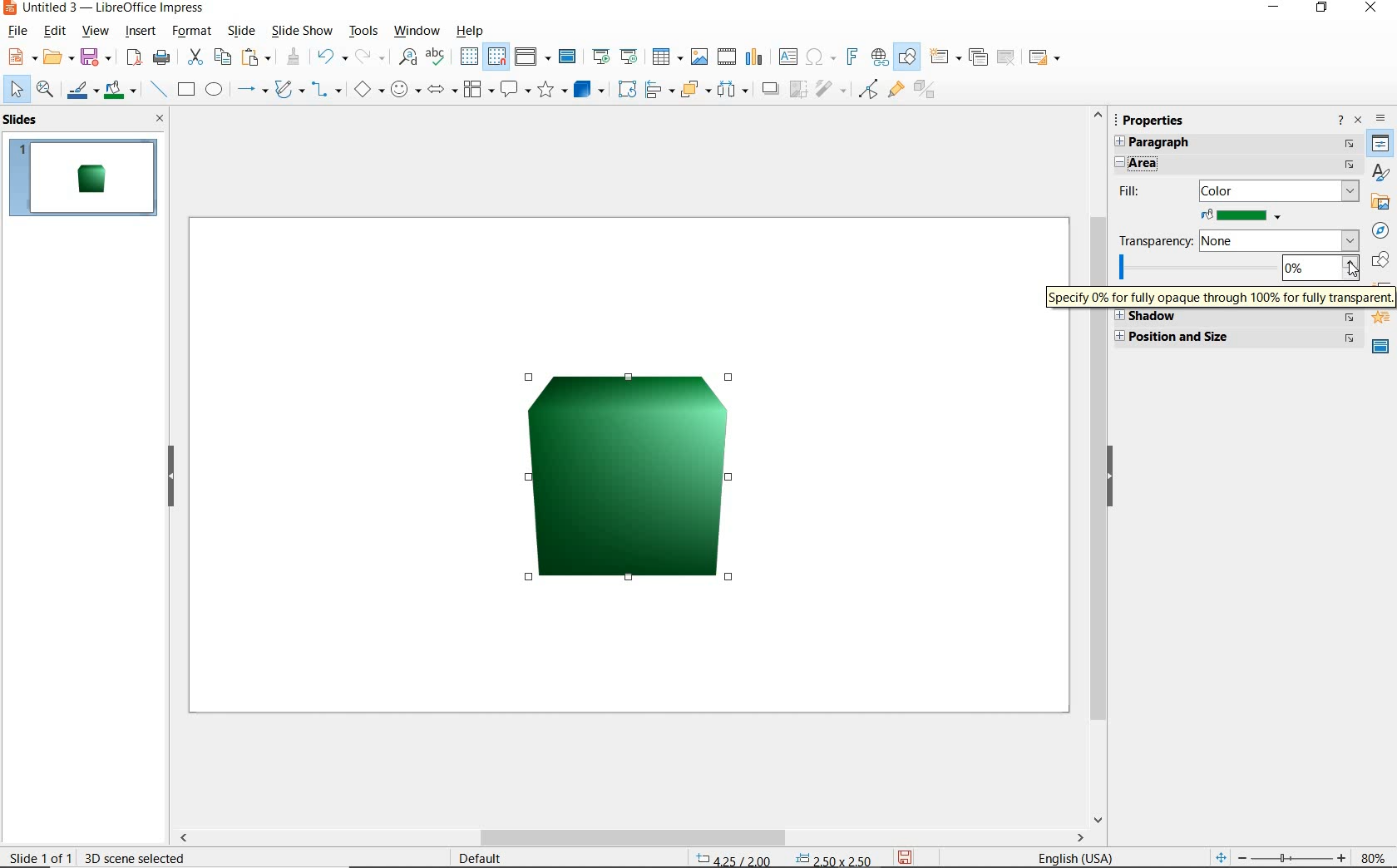 Image resolution: width=1397 pixels, height=868 pixels. What do you see at coordinates (726, 55) in the screenshot?
I see `insert audio or video` at bounding box center [726, 55].